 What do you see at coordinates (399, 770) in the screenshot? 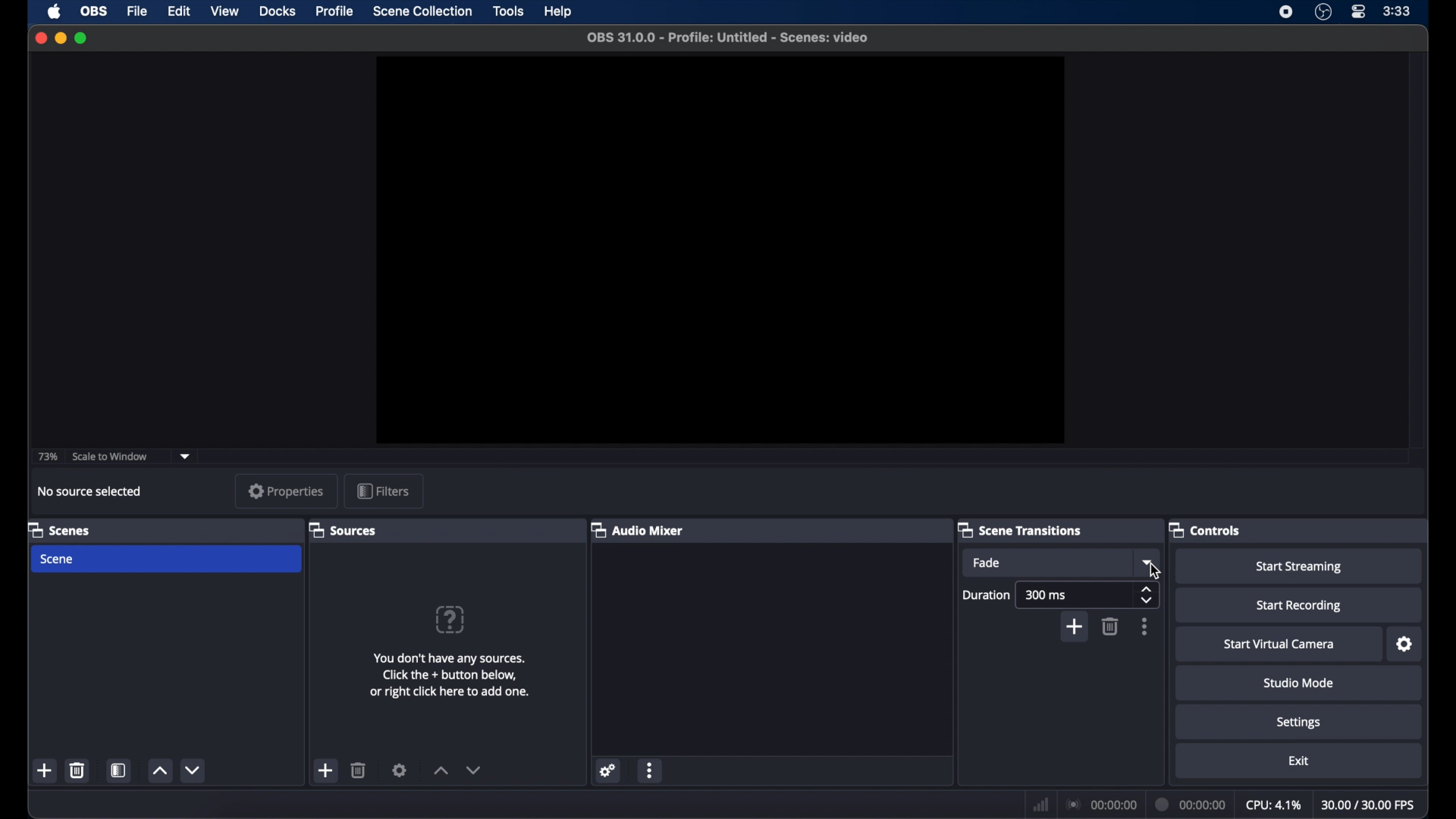
I see `settings` at bounding box center [399, 770].